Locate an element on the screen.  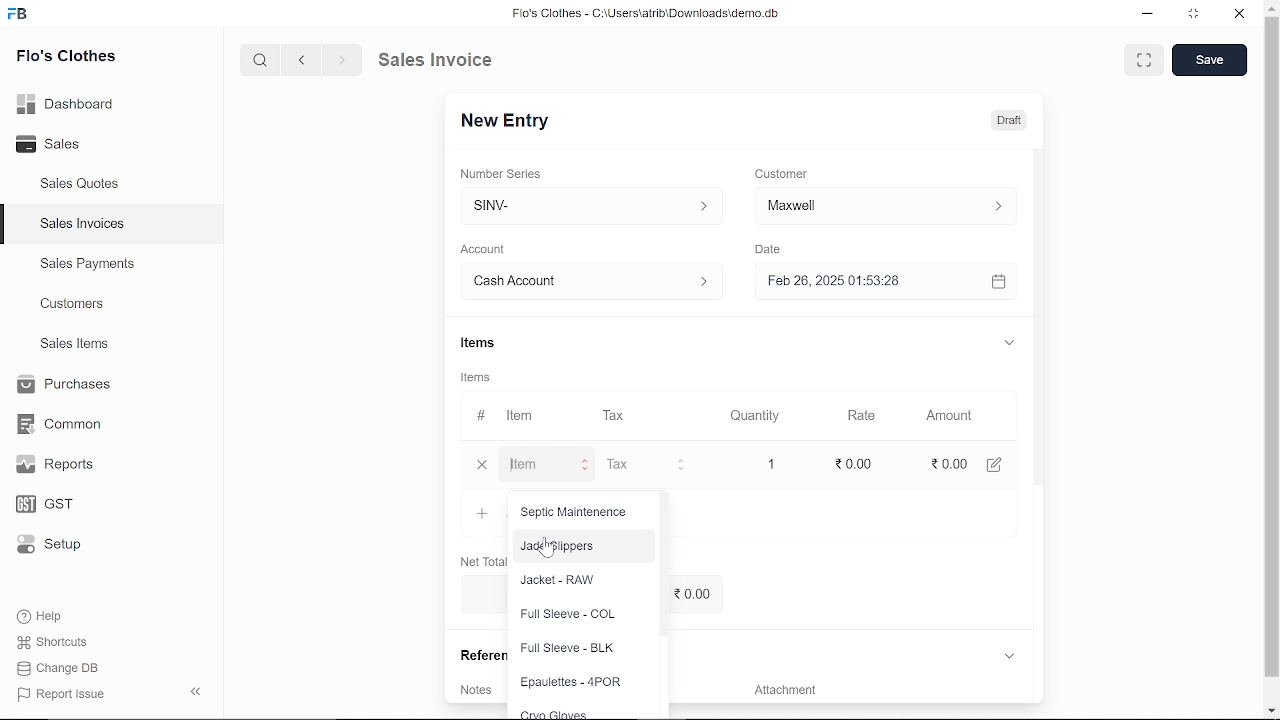
Date is located at coordinates (776, 250).